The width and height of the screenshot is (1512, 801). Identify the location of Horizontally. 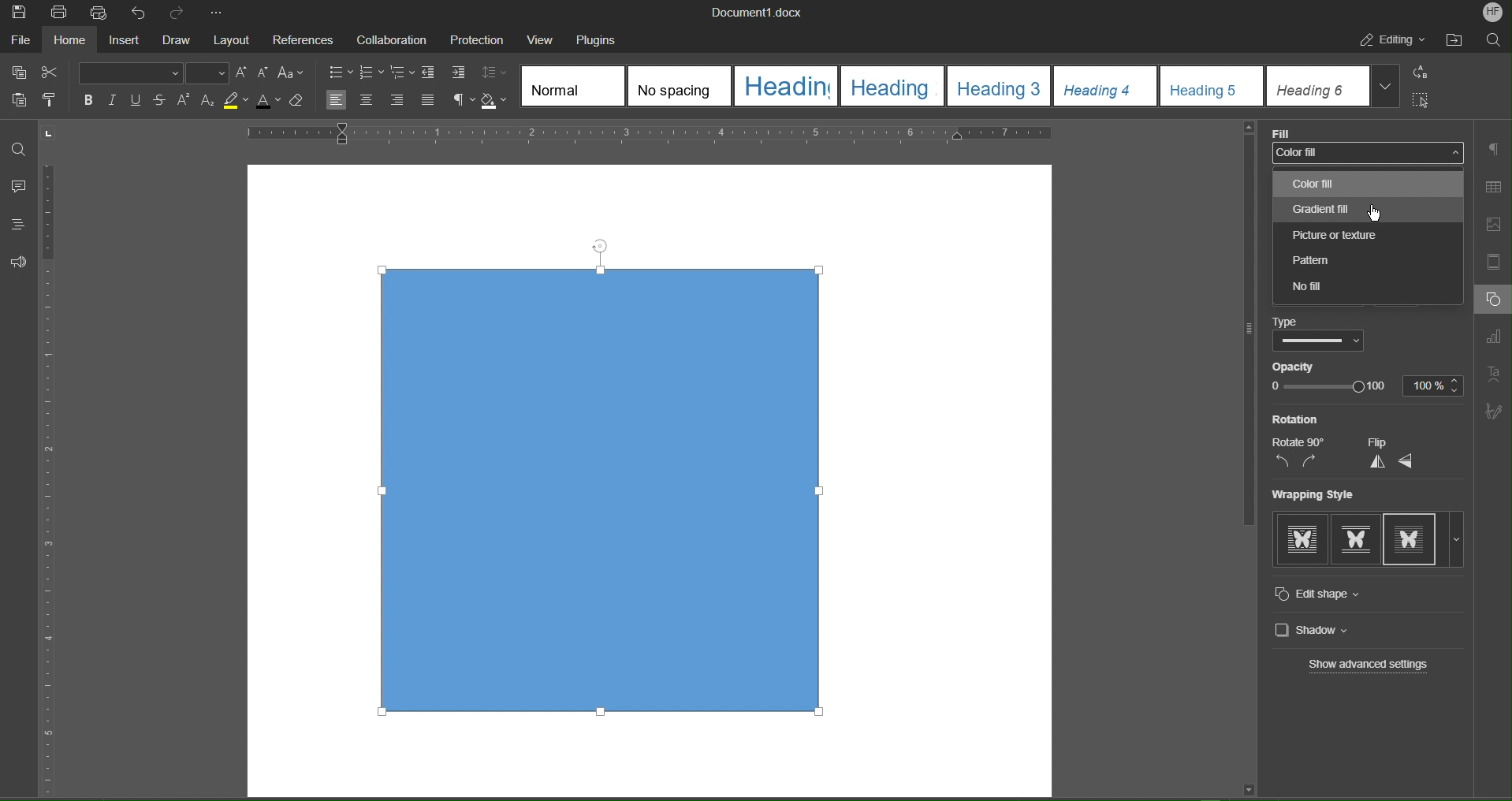
(1406, 463).